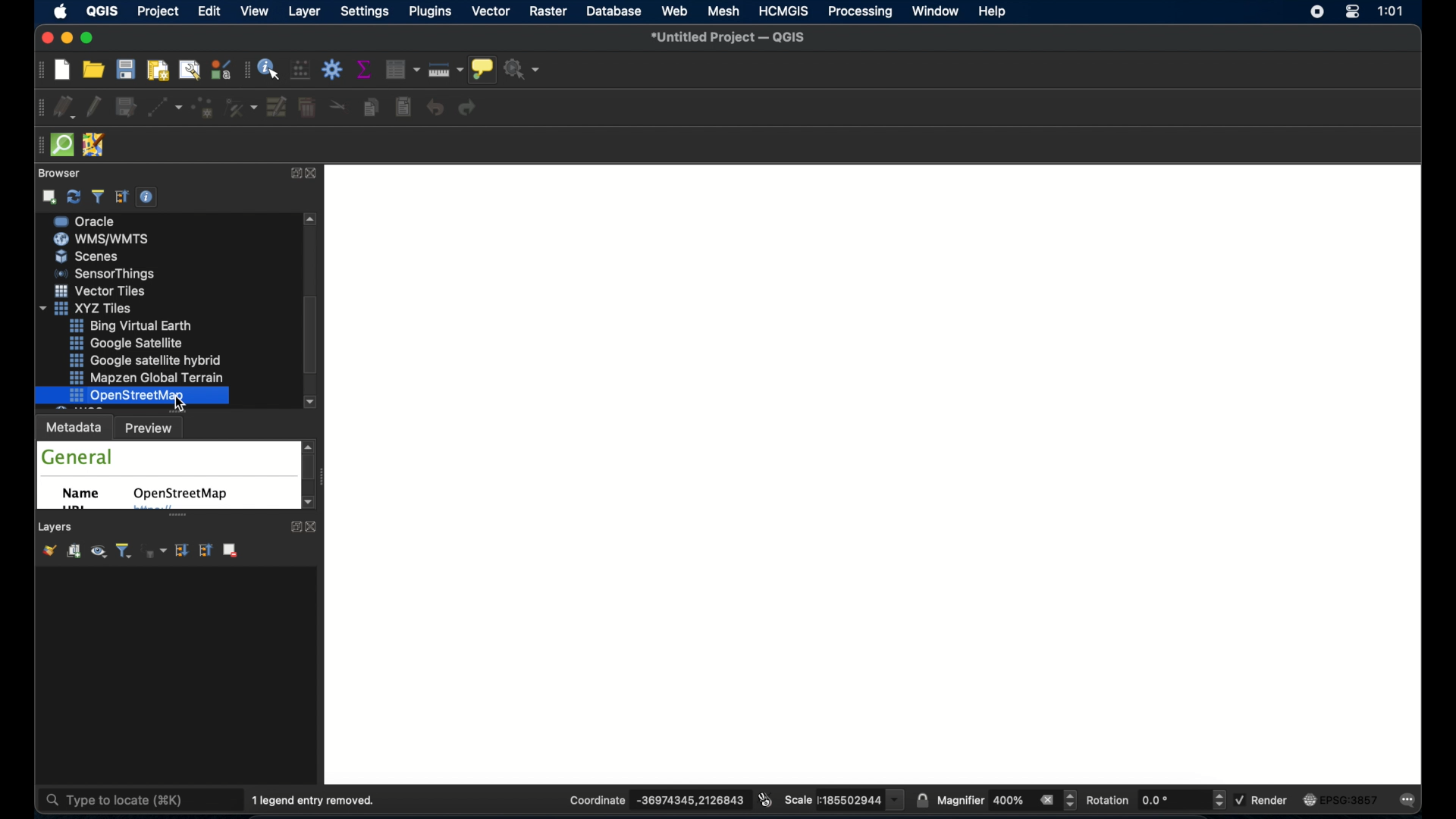 This screenshot has width=1456, height=819. Describe the element at coordinates (61, 145) in the screenshot. I see `quick osm` at that location.